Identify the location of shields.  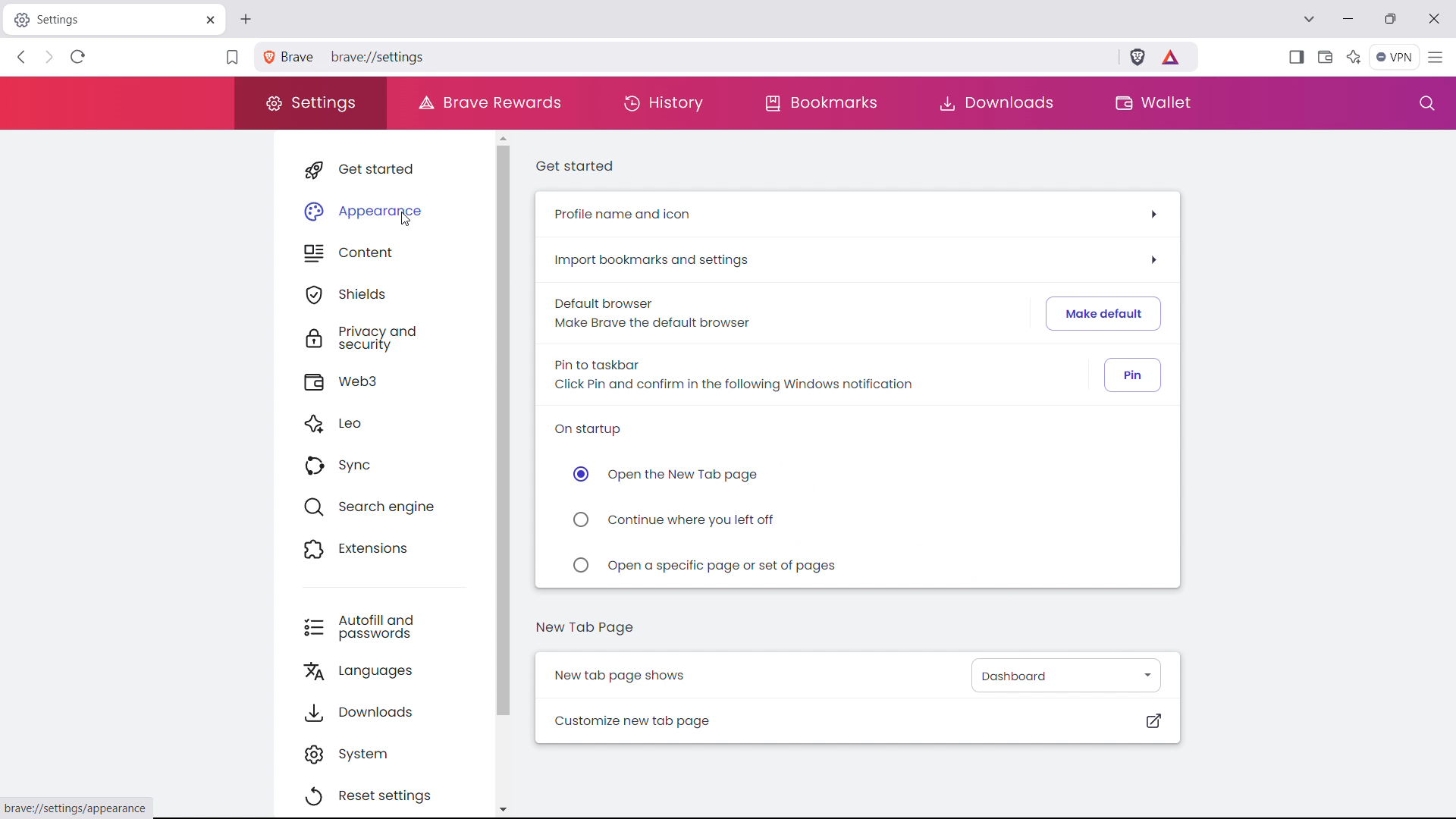
(385, 292).